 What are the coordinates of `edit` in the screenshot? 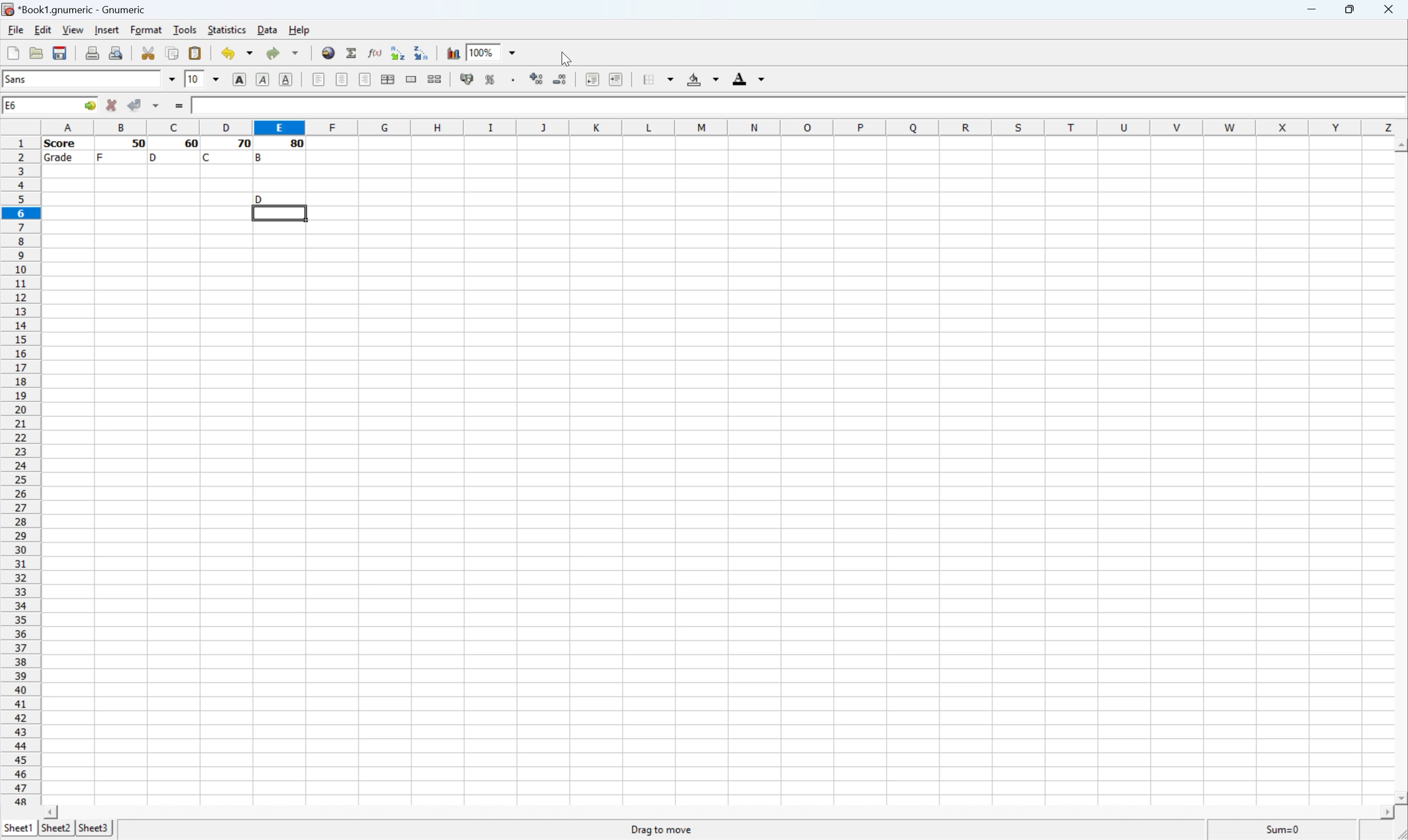 It's located at (42, 30).